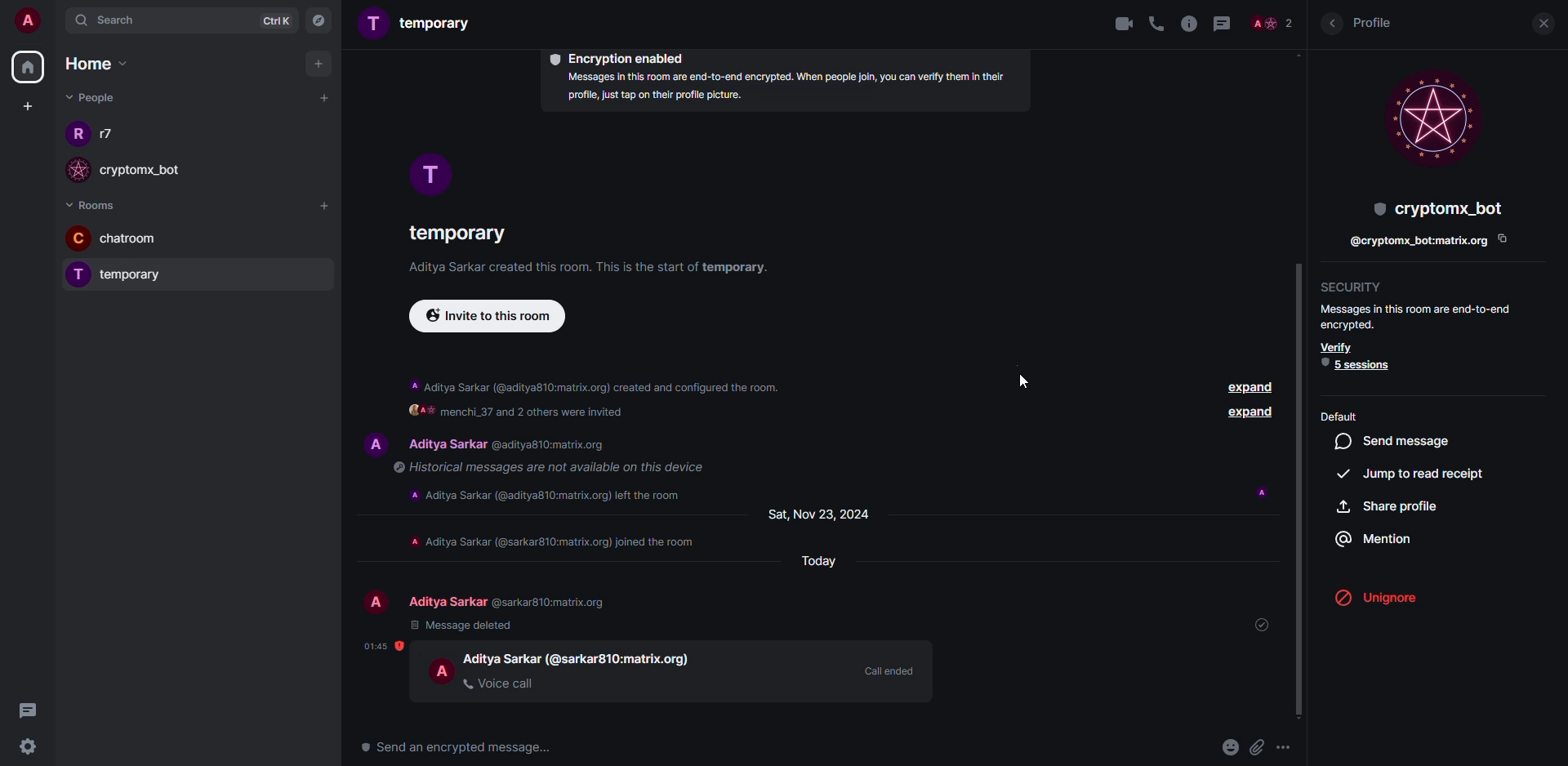 The image size is (1568, 766). What do you see at coordinates (79, 238) in the screenshot?
I see `profile` at bounding box center [79, 238].